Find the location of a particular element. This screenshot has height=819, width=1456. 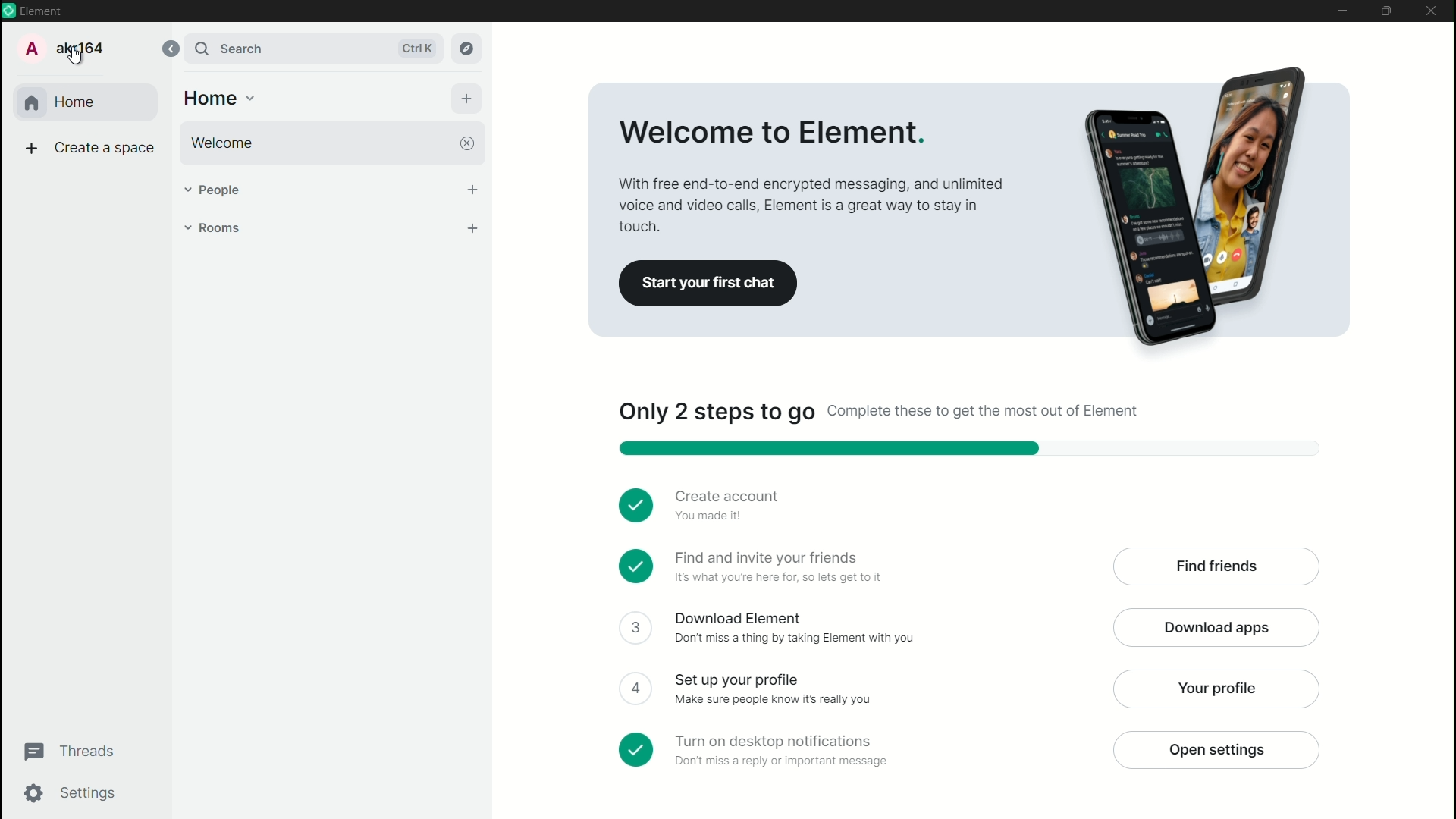

find friends is located at coordinates (1219, 567).